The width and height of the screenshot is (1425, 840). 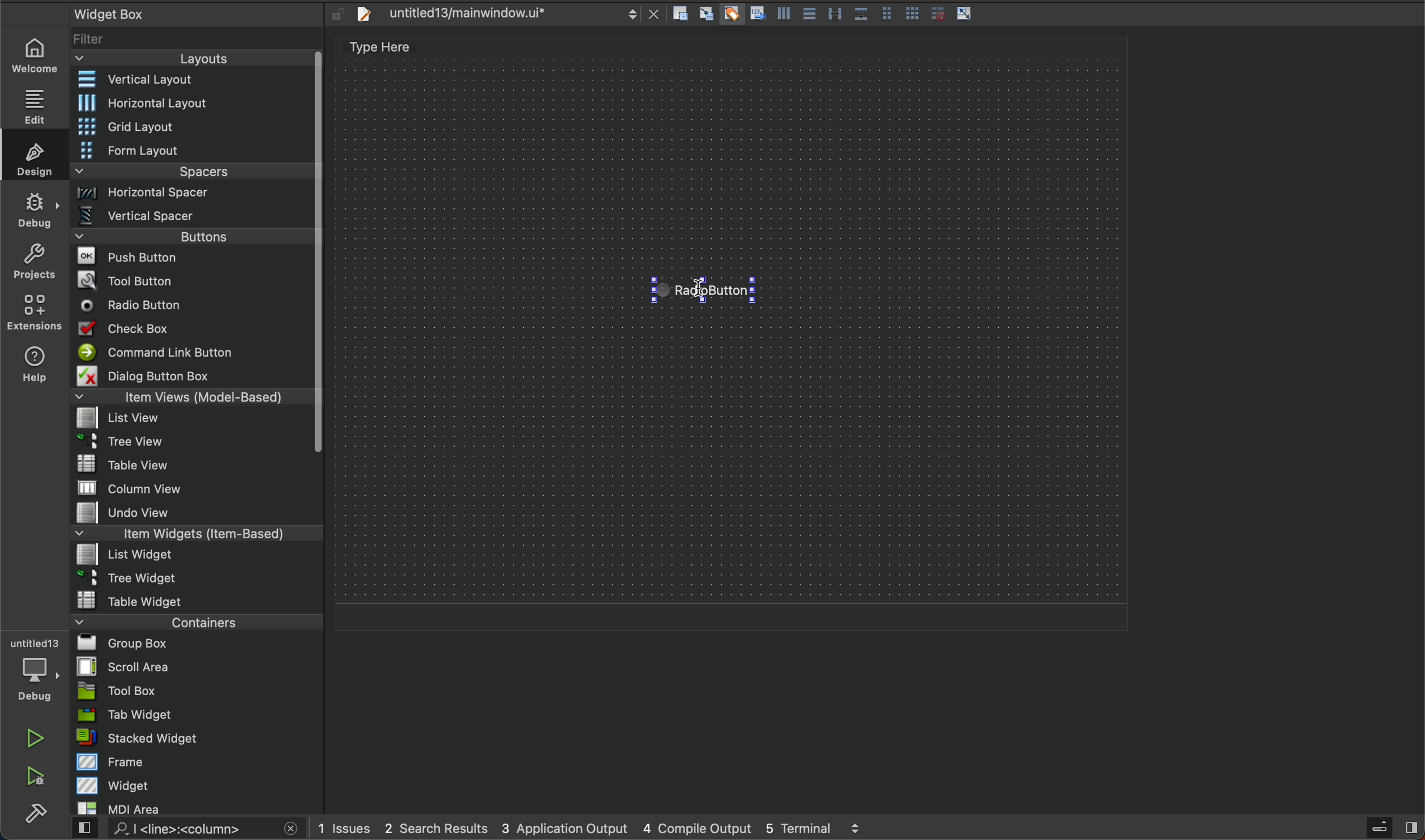 What do you see at coordinates (194, 152) in the screenshot?
I see `` at bounding box center [194, 152].